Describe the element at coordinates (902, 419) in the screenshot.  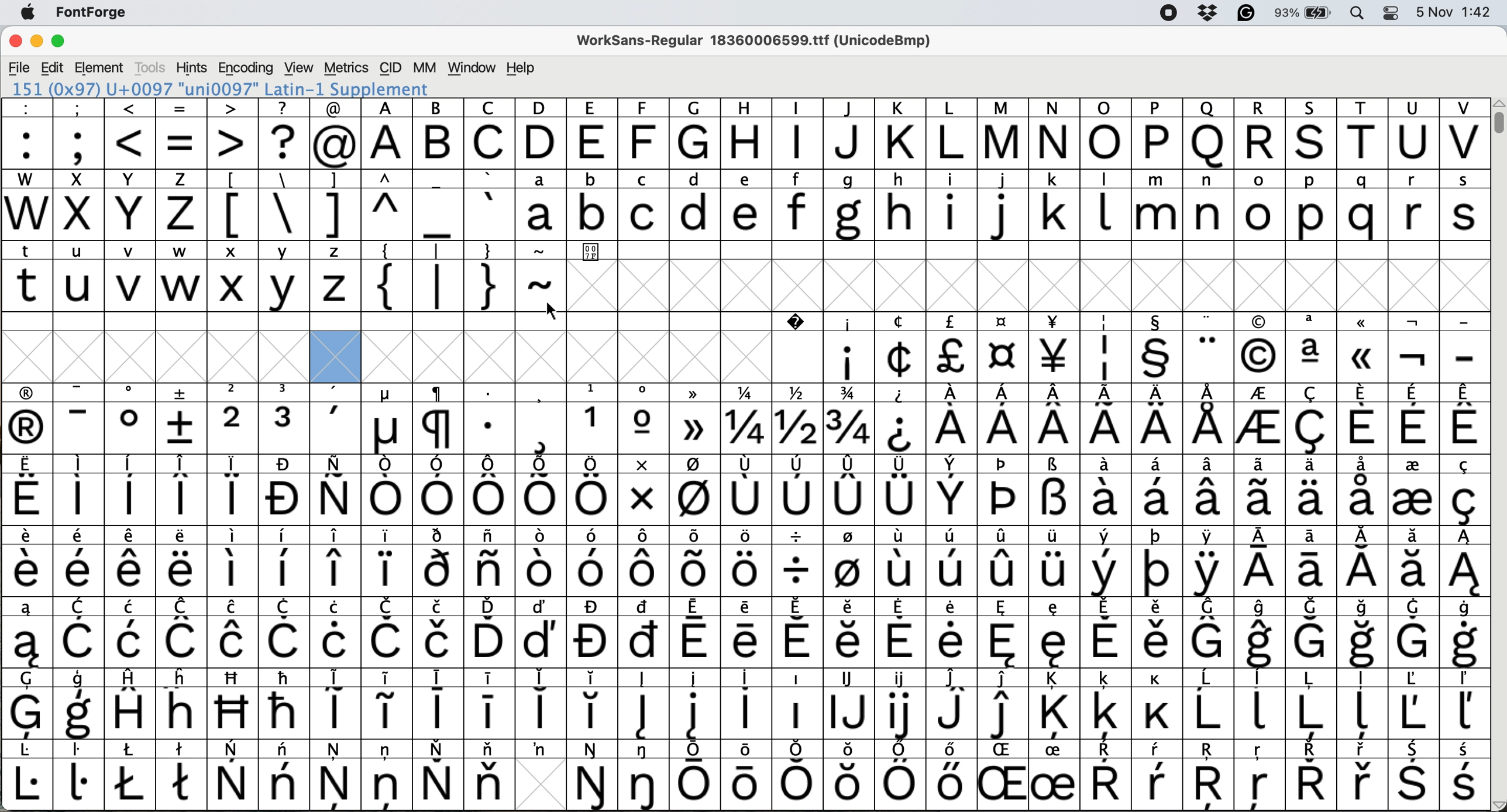
I see `symbol` at that location.